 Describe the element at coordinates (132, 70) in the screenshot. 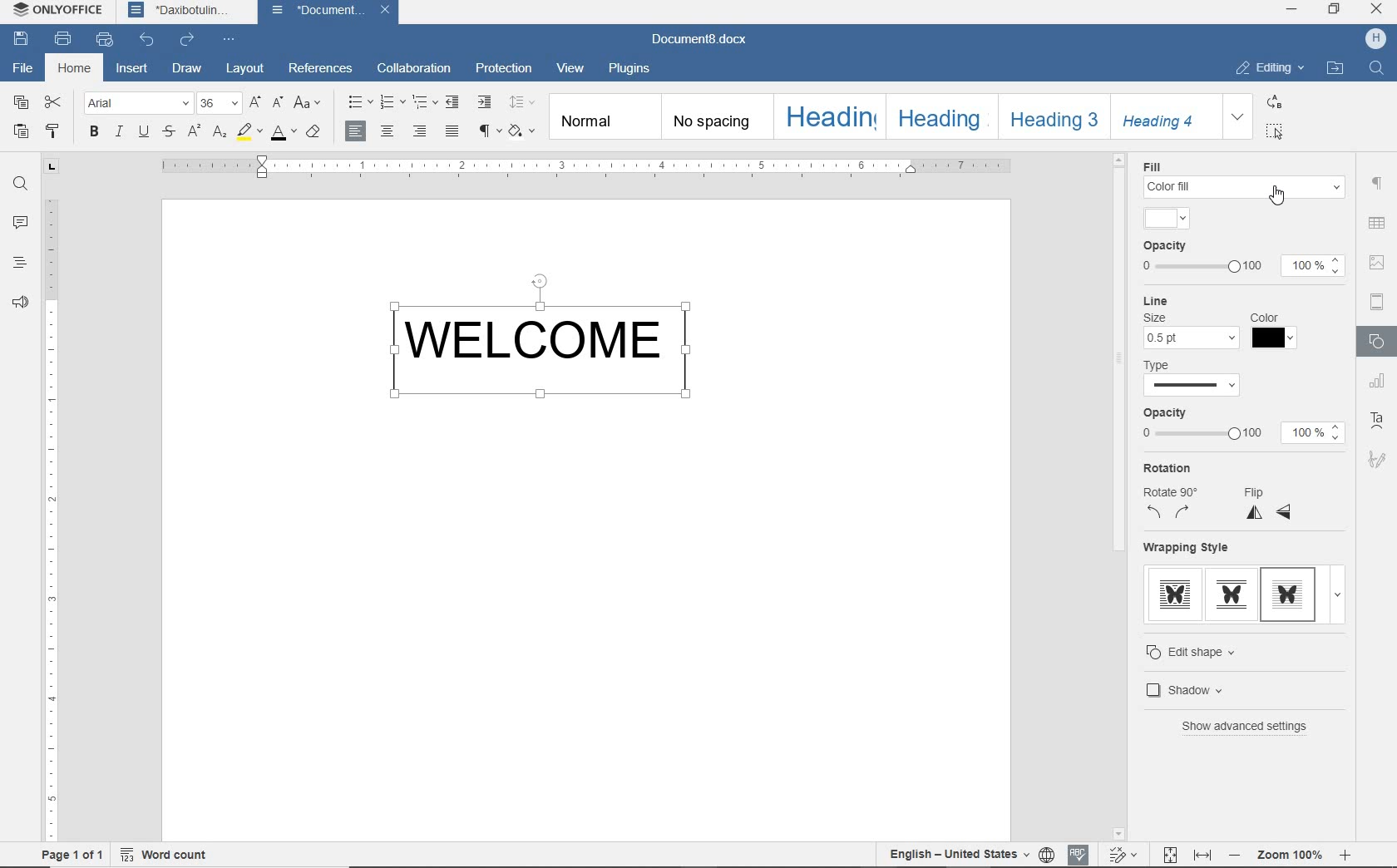

I see `INSERT` at that location.